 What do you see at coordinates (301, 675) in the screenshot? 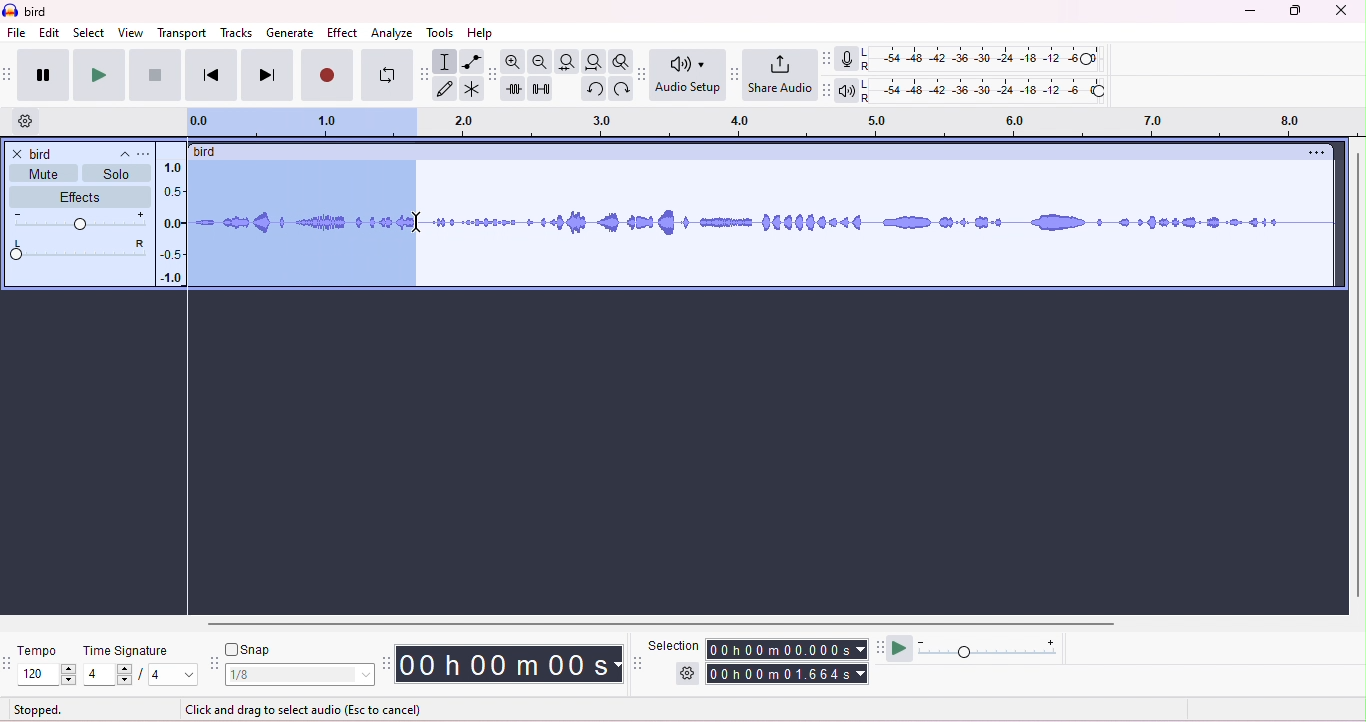
I see `1/8 (select snap)` at bounding box center [301, 675].